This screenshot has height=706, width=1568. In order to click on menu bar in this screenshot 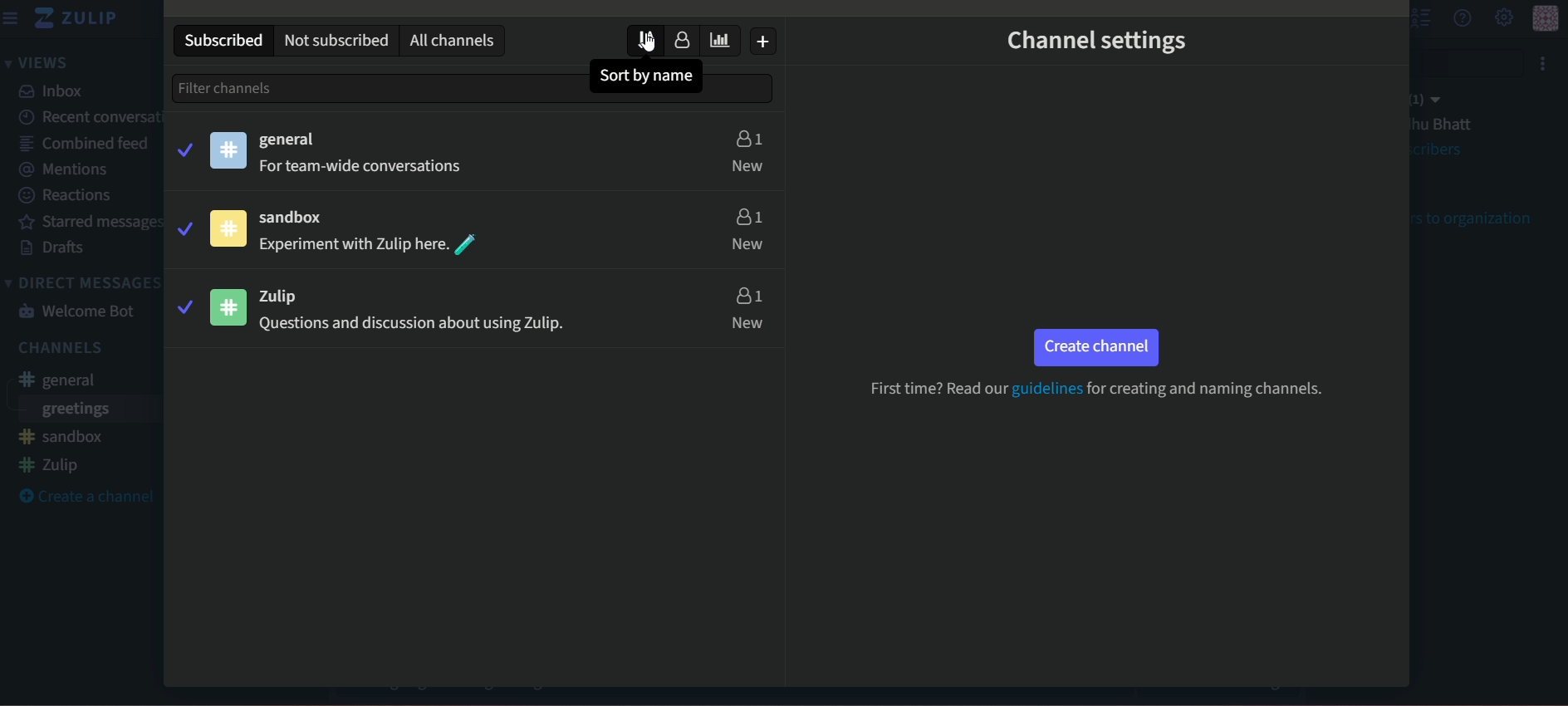, I will do `click(12, 17)`.